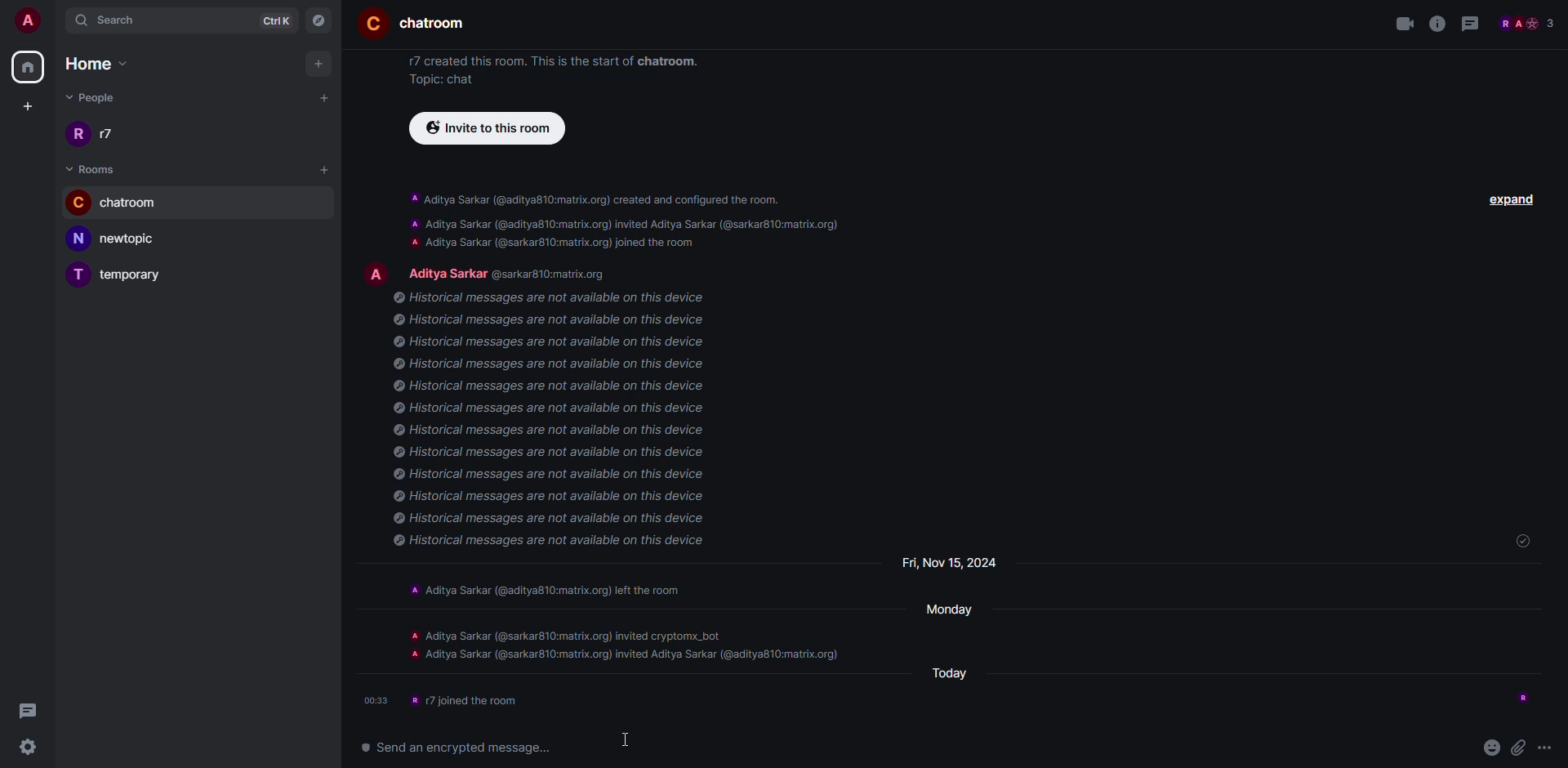 This screenshot has width=1568, height=768. Describe the element at coordinates (516, 271) in the screenshot. I see `people` at that location.